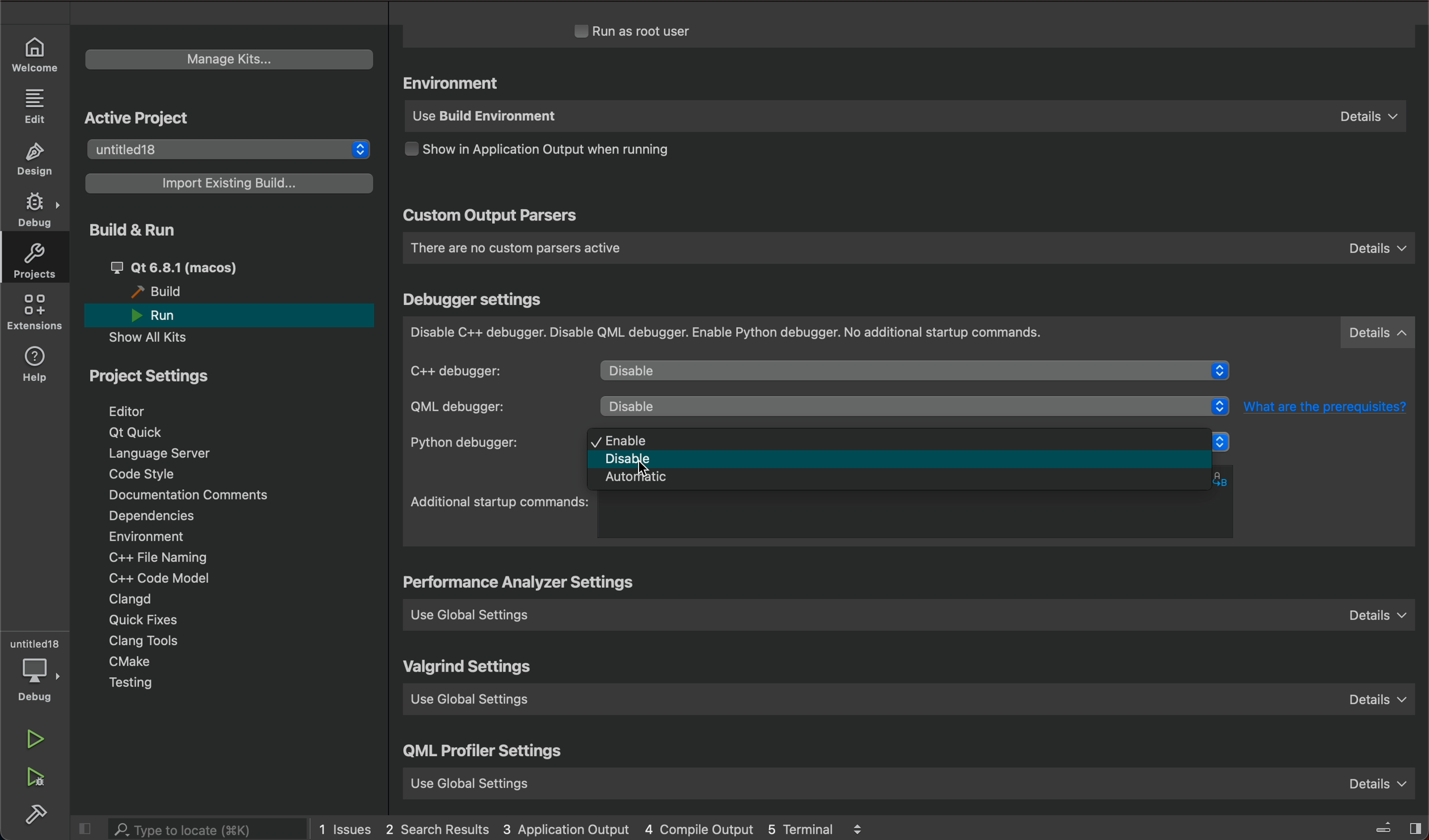 This screenshot has width=1429, height=840. What do you see at coordinates (164, 559) in the screenshot?
I see `file naming` at bounding box center [164, 559].